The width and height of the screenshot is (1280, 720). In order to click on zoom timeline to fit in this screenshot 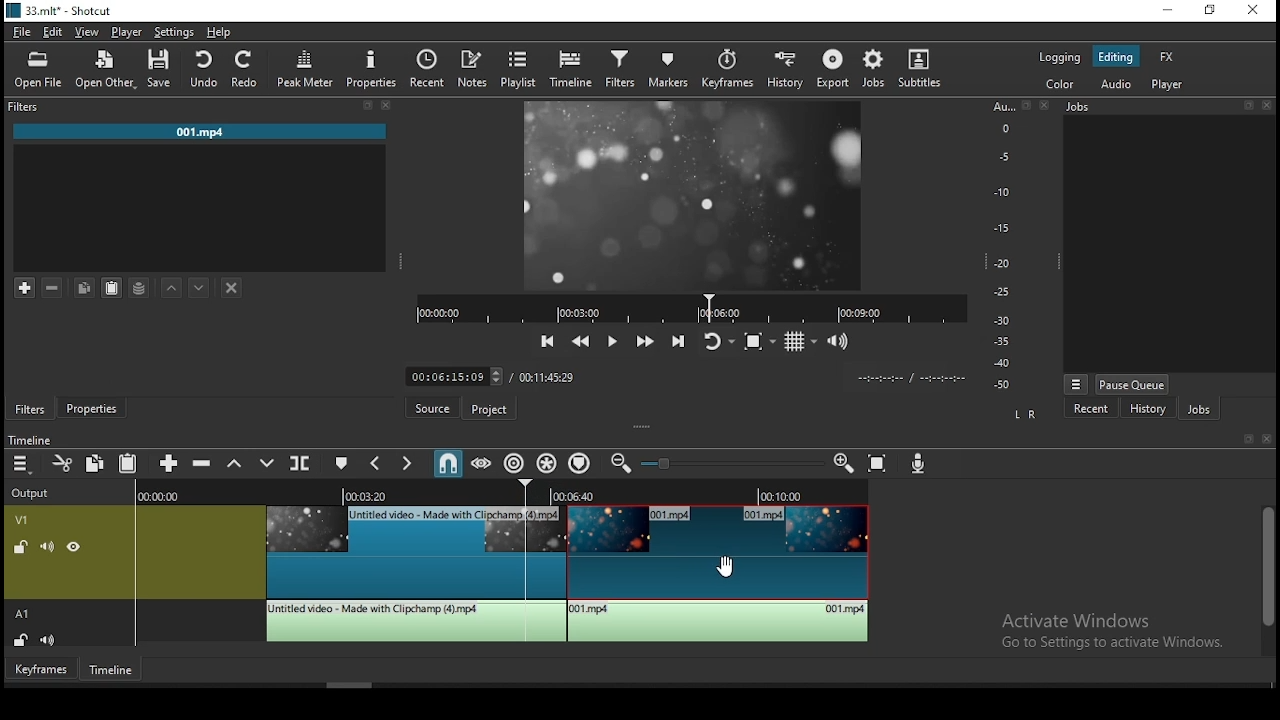, I will do `click(884, 464)`.